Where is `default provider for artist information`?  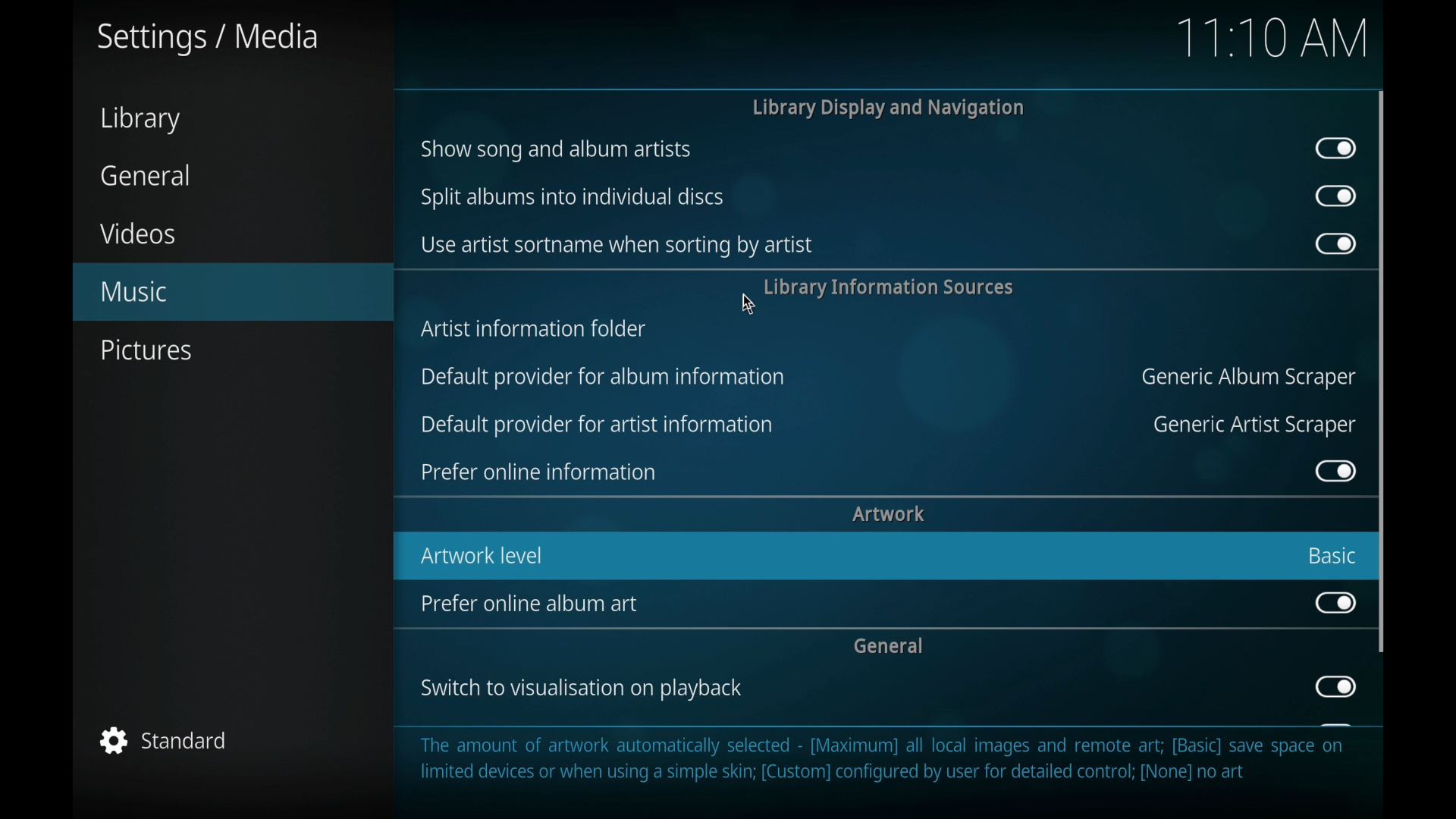
default provider for artist information is located at coordinates (596, 425).